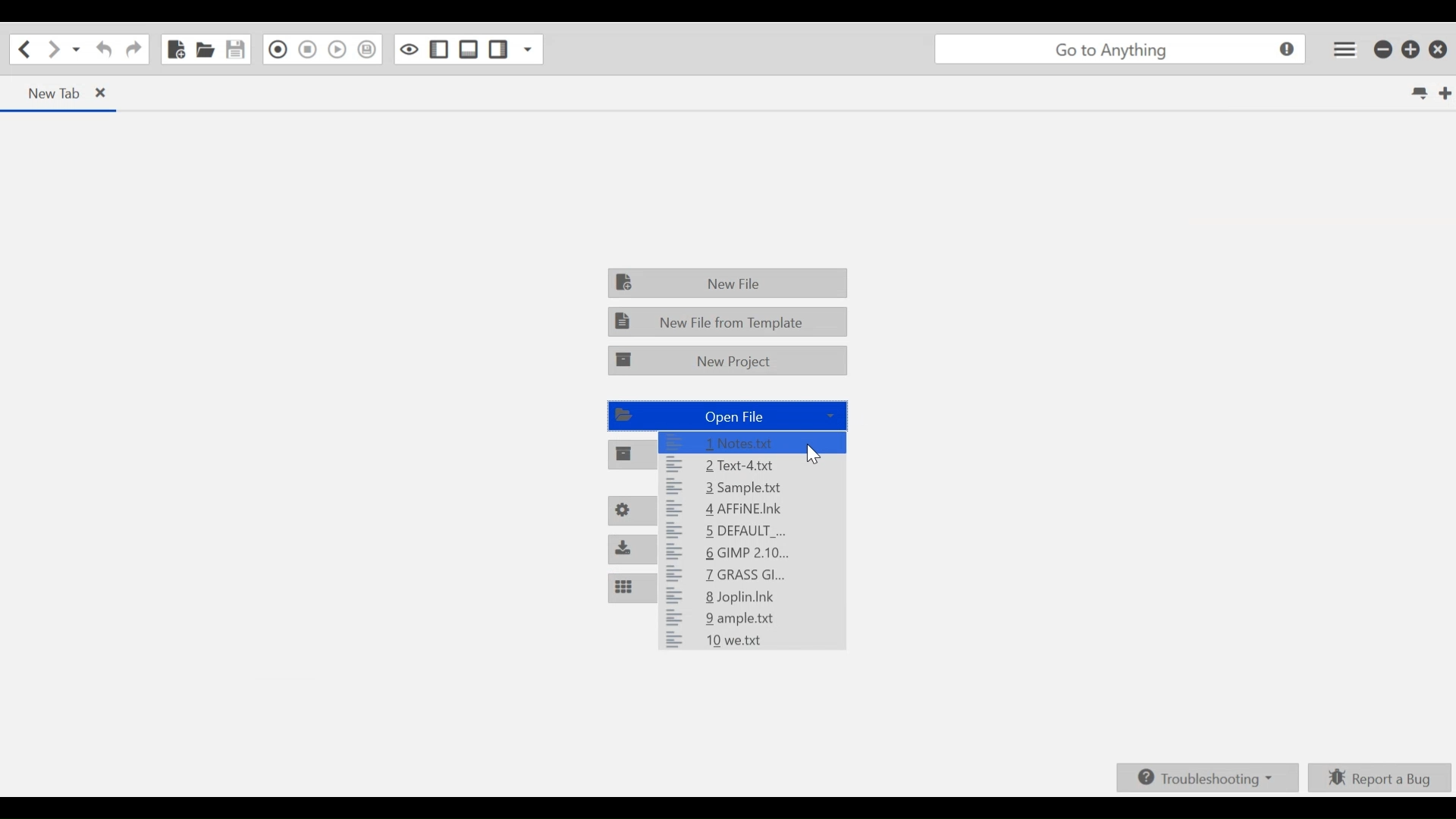 The image size is (1456, 819). What do you see at coordinates (469, 50) in the screenshot?
I see `Show/Hide Bottom Pane` at bounding box center [469, 50].